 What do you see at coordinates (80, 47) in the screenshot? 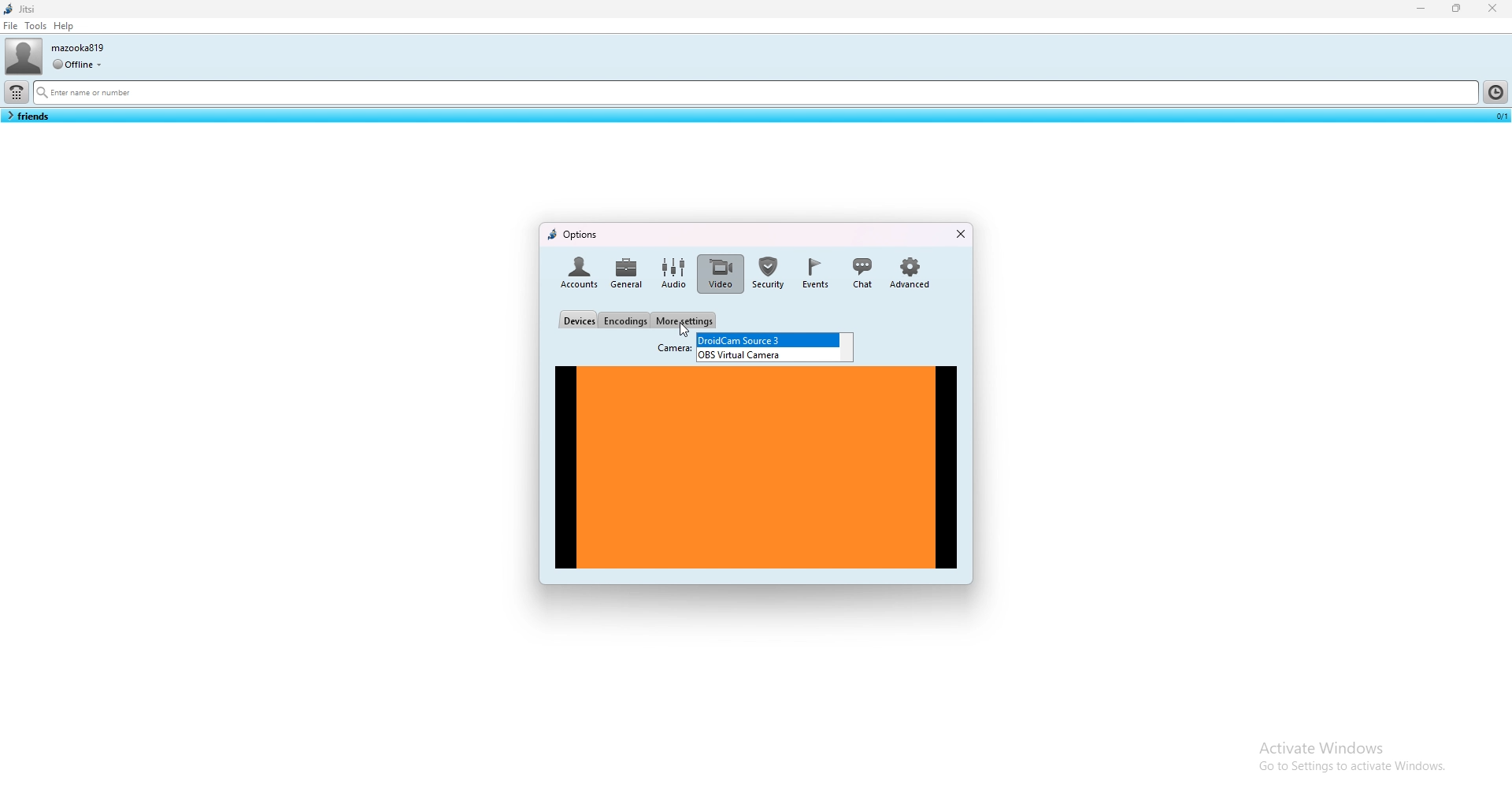
I see `username` at bounding box center [80, 47].